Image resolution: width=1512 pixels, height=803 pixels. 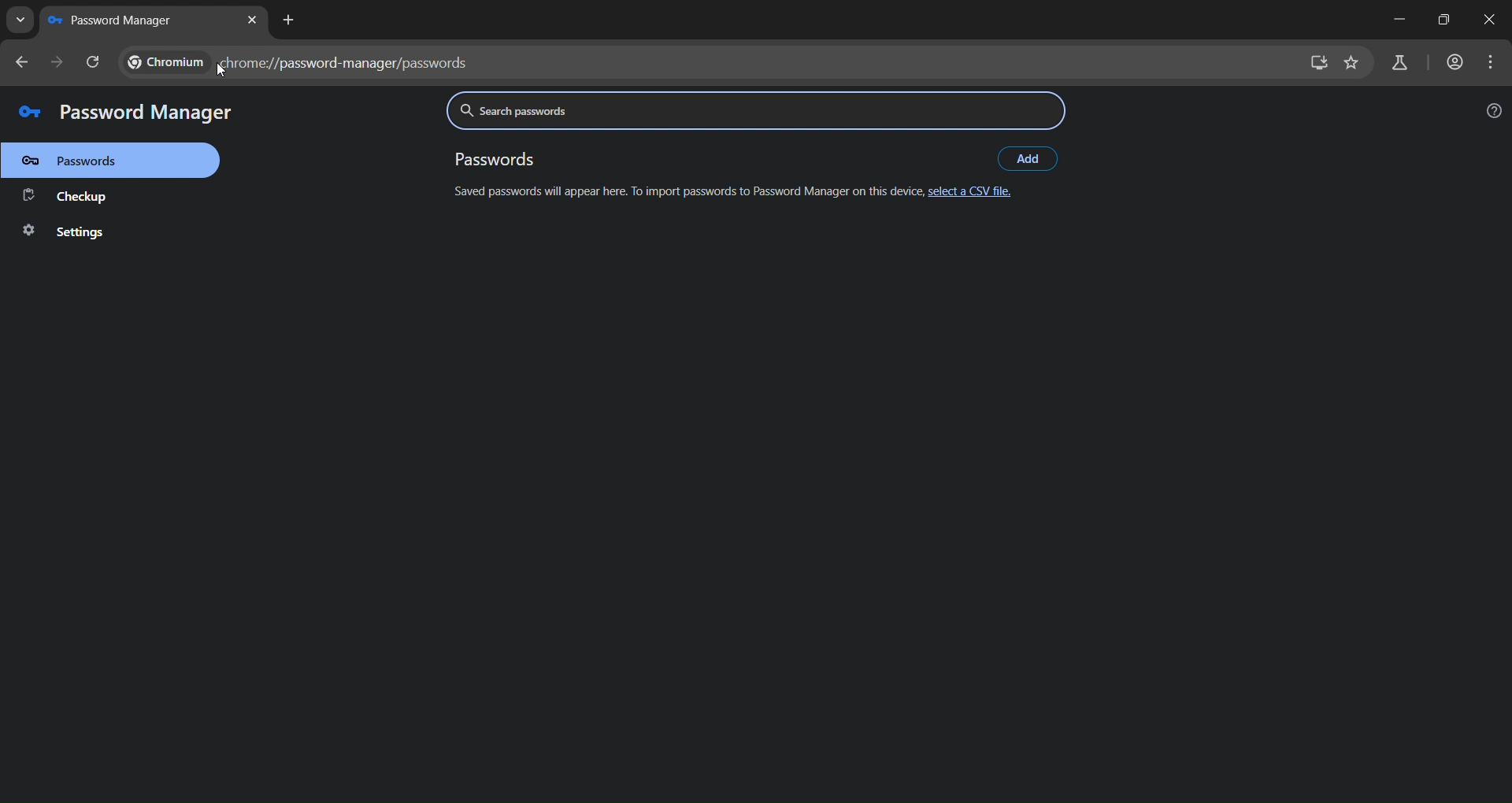 I want to click on minimize, so click(x=1399, y=20).